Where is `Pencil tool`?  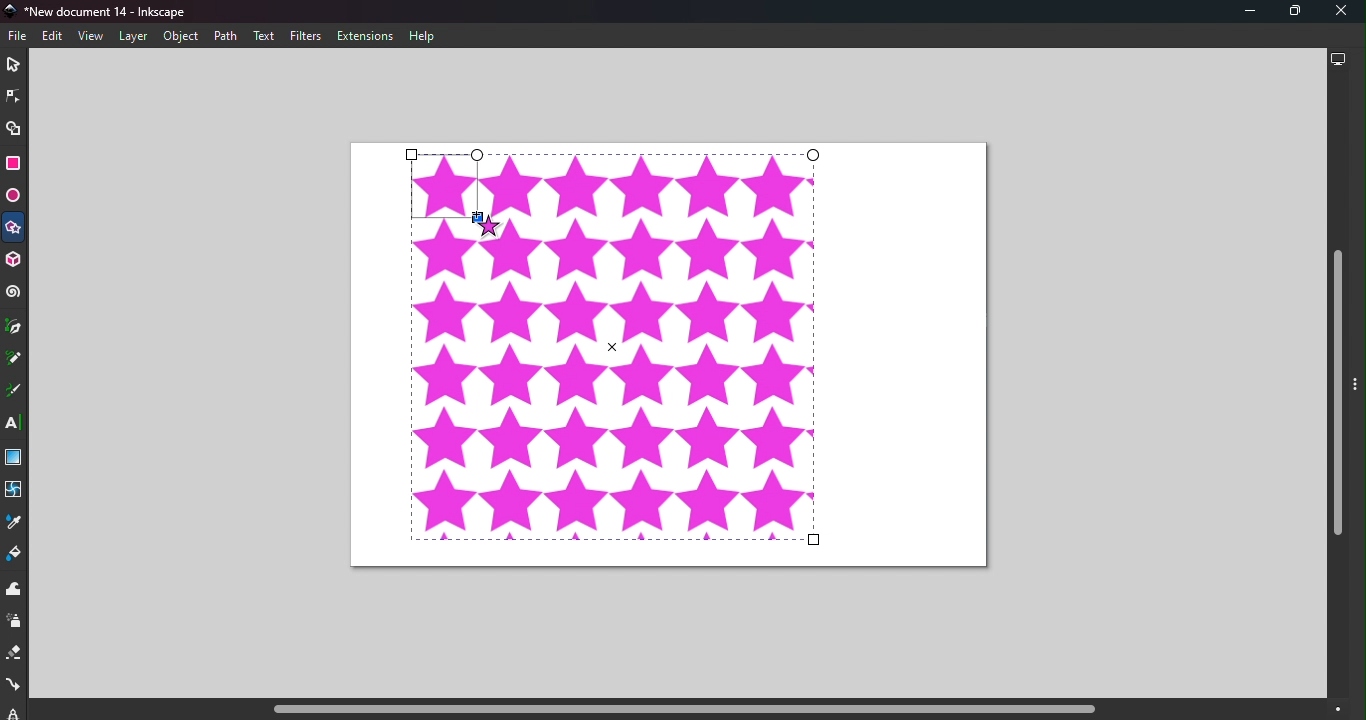
Pencil tool is located at coordinates (14, 360).